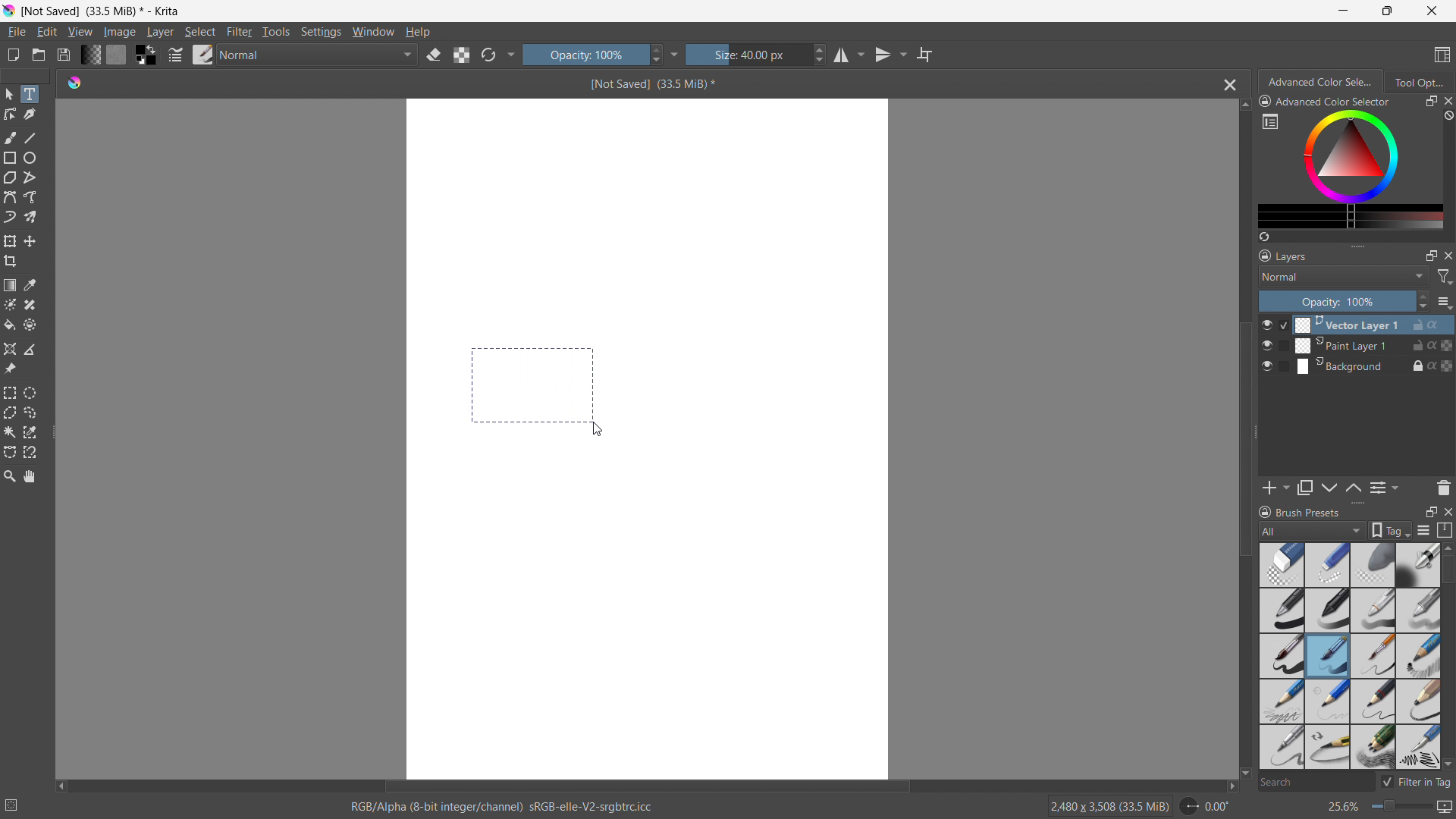 This screenshot has height=819, width=1456. Describe the element at coordinates (1244, 774) in the screenshot. I see `scroll down` at that location.